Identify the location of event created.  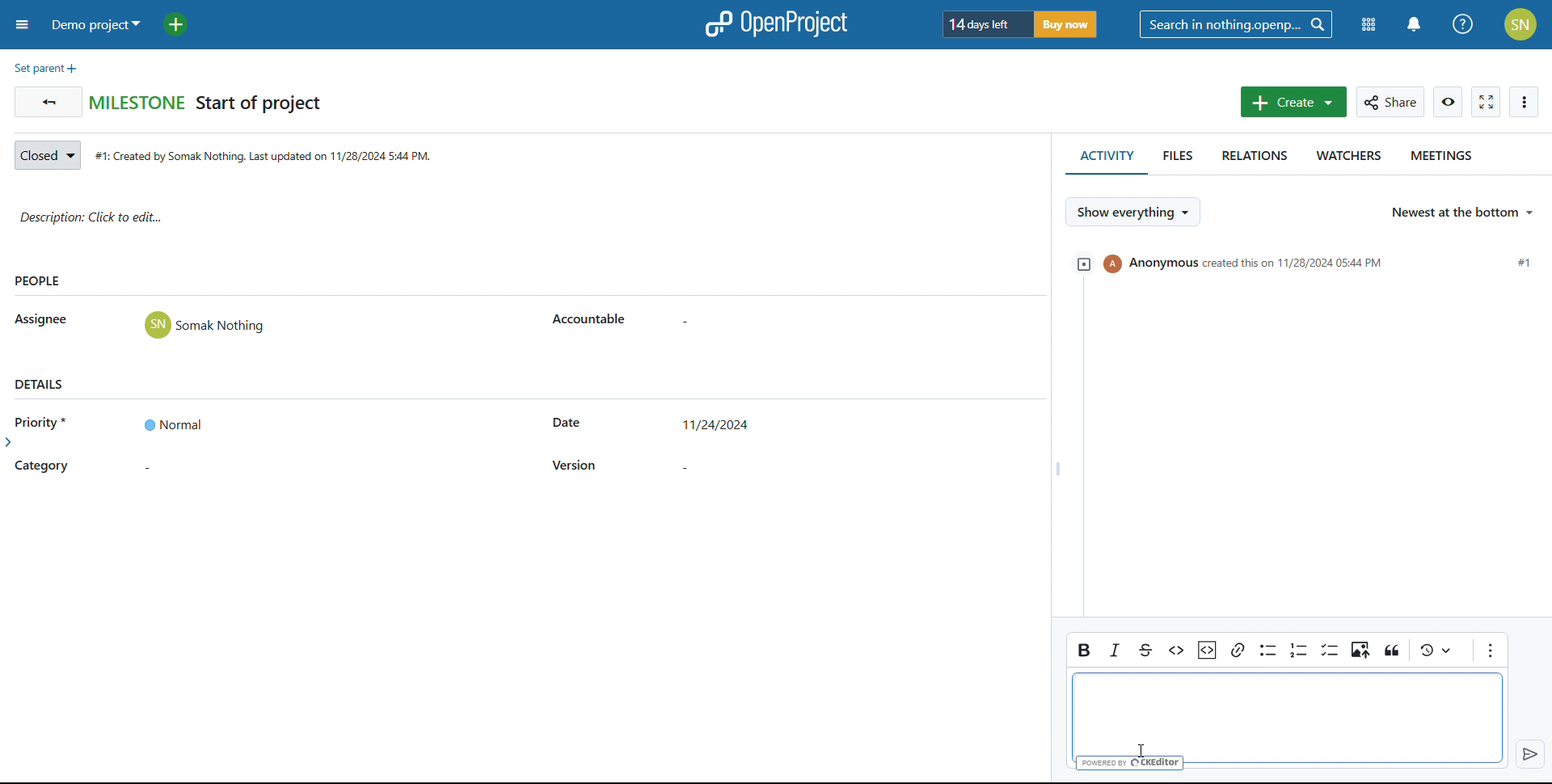
(1321, 263).